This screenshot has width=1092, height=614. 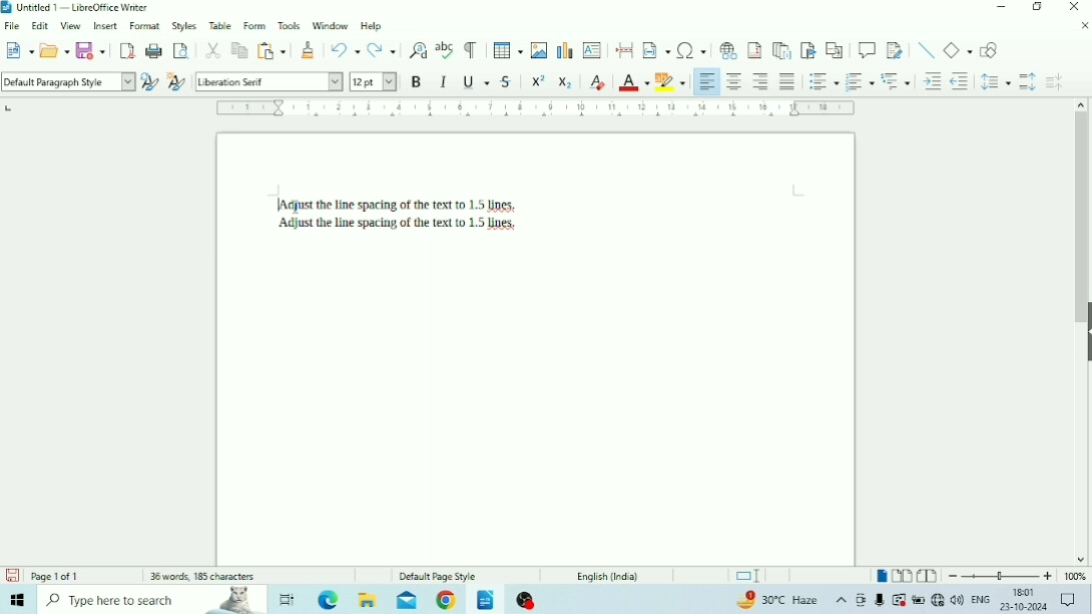 What do you see at coordinates (565, 49) in the screenshot?
I see `Insert Chart` at bounding box center [565, 49].